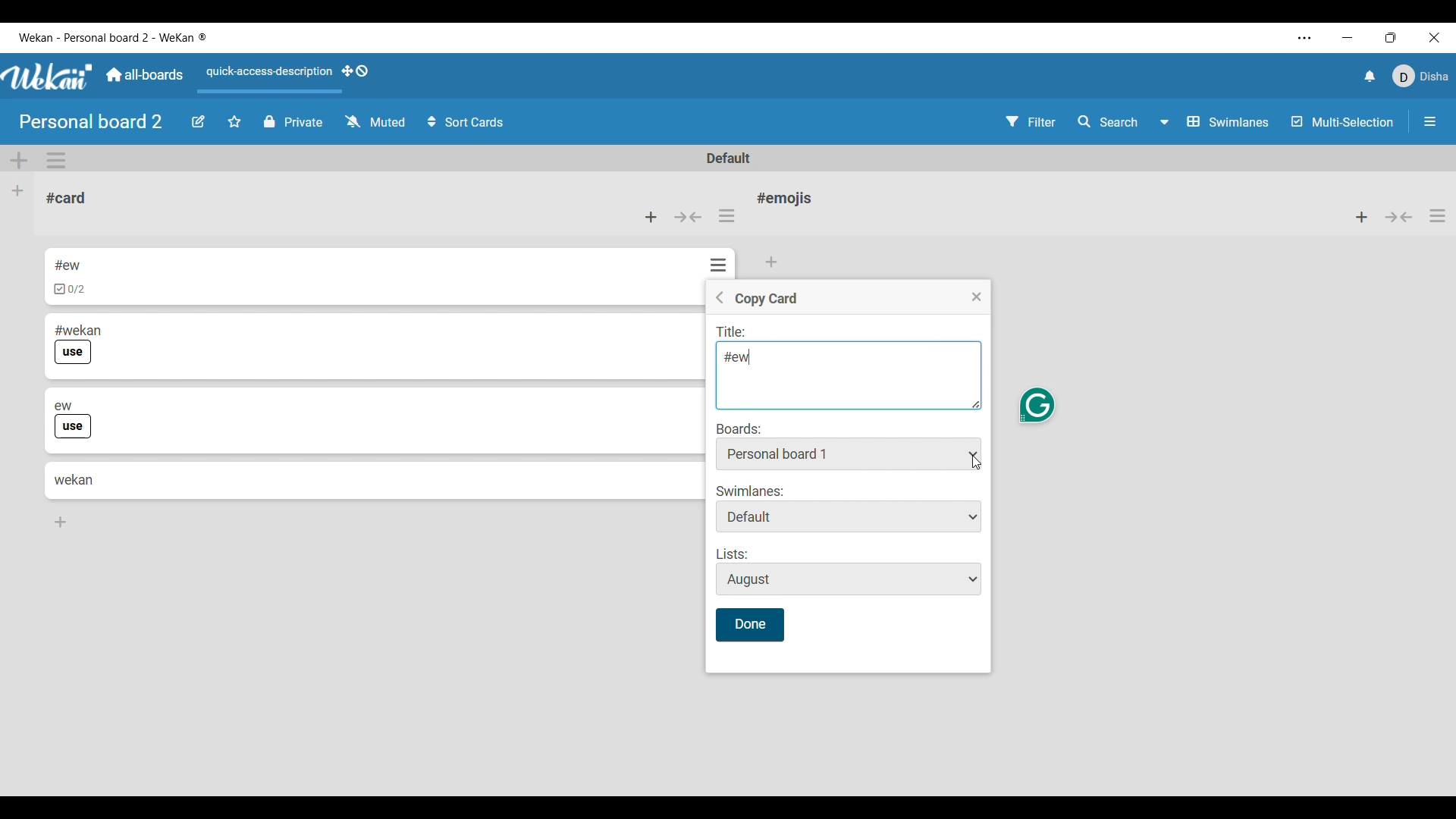 The width and height of the screenshot is (1456, 819). What do you see at coordinates (74, 427) in the screenshot?
I see `Indicates use of label in card` at bounding box center [74, 427].